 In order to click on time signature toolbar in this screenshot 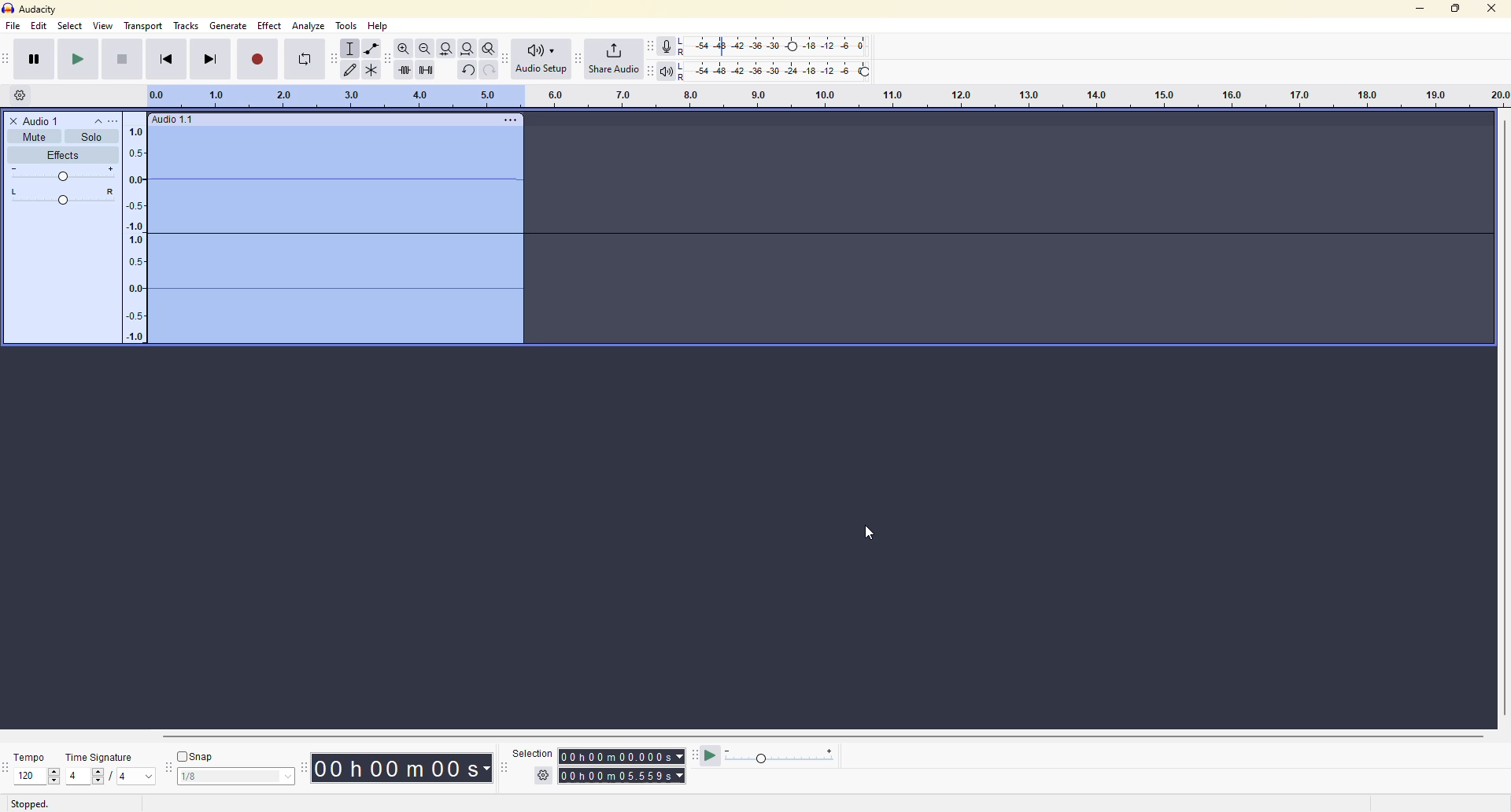, I will do `click(6, 768)`.